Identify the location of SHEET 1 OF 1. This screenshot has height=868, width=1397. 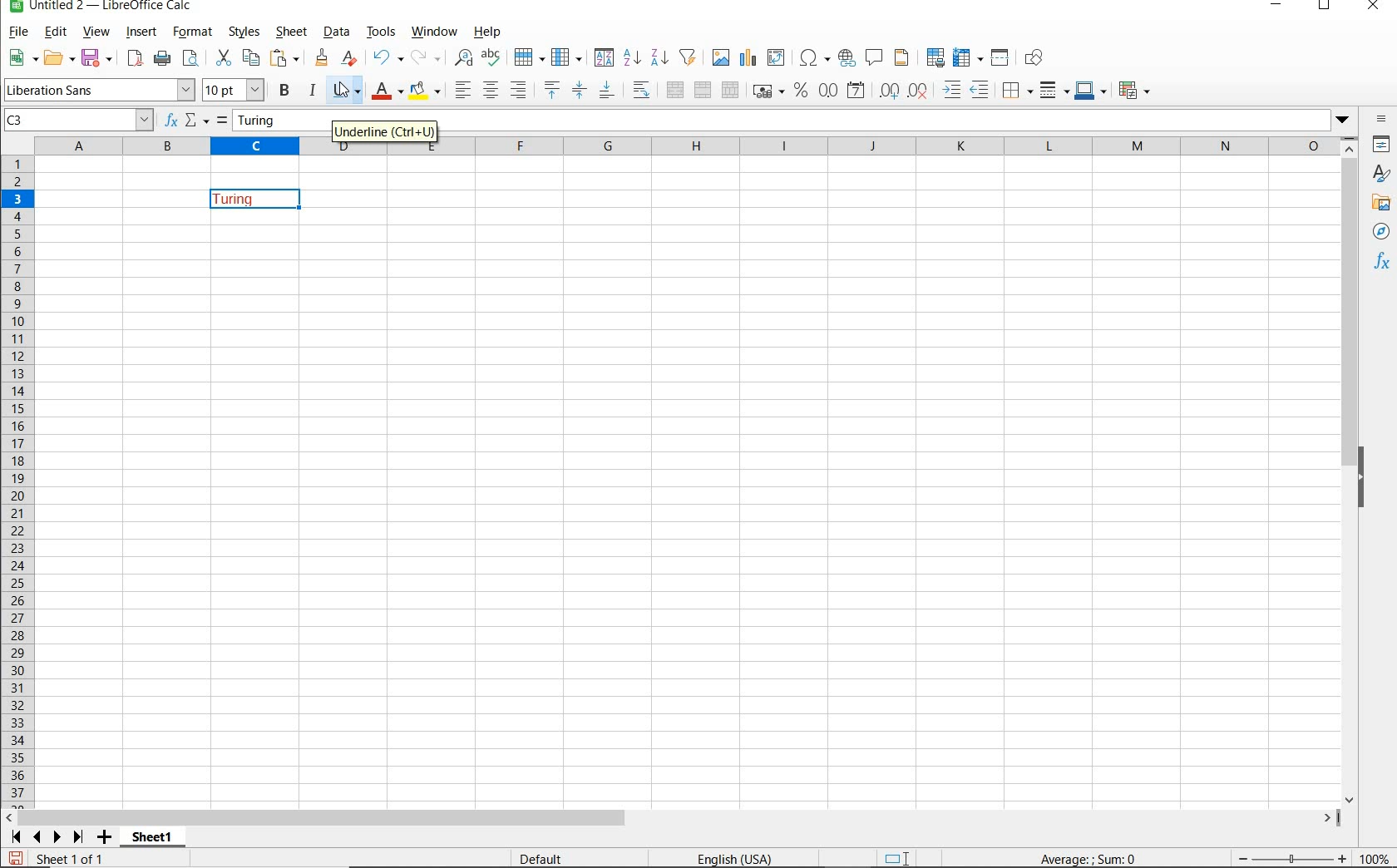
(71, 860).